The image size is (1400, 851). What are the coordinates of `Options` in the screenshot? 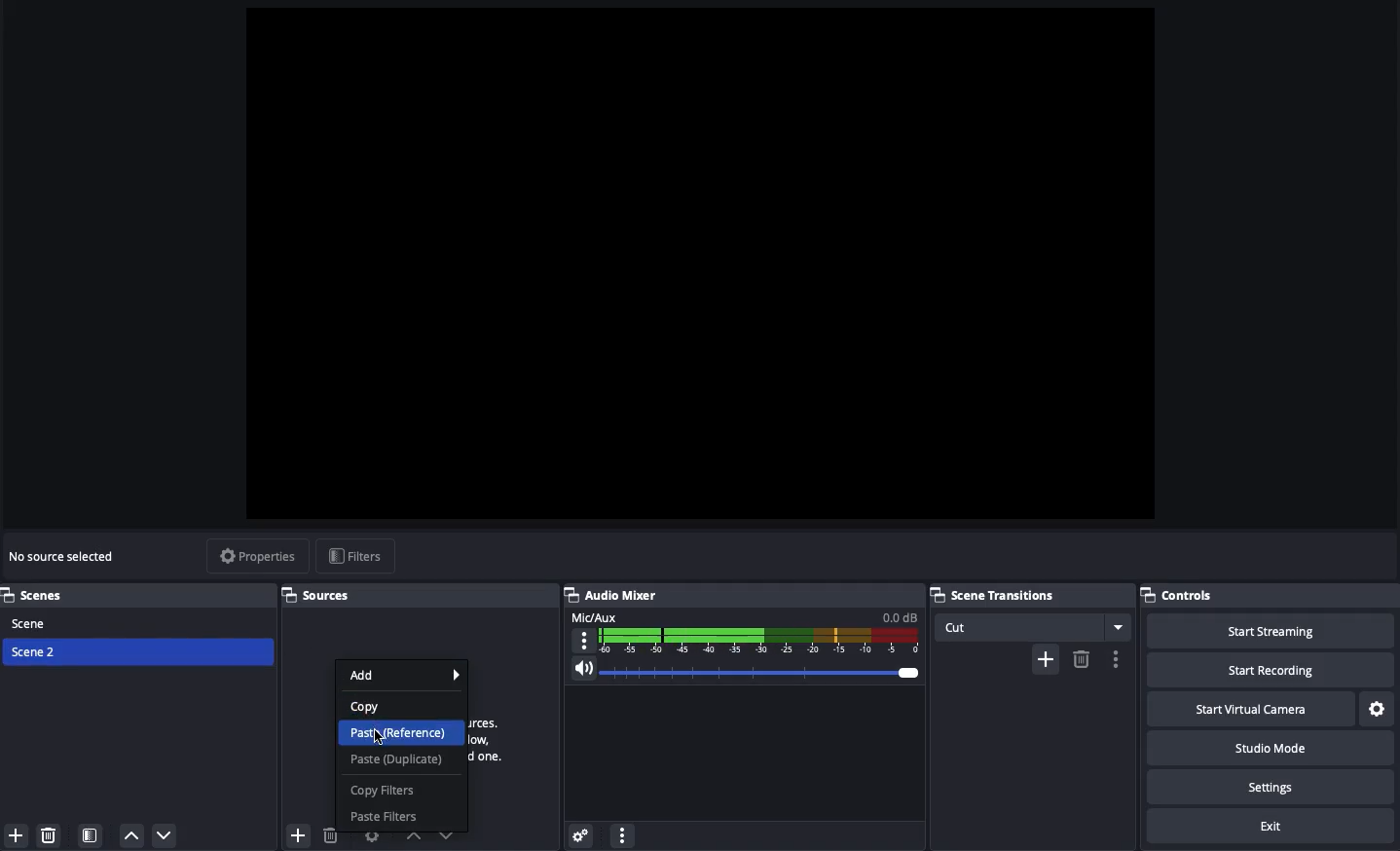 It's located at (624, 834).